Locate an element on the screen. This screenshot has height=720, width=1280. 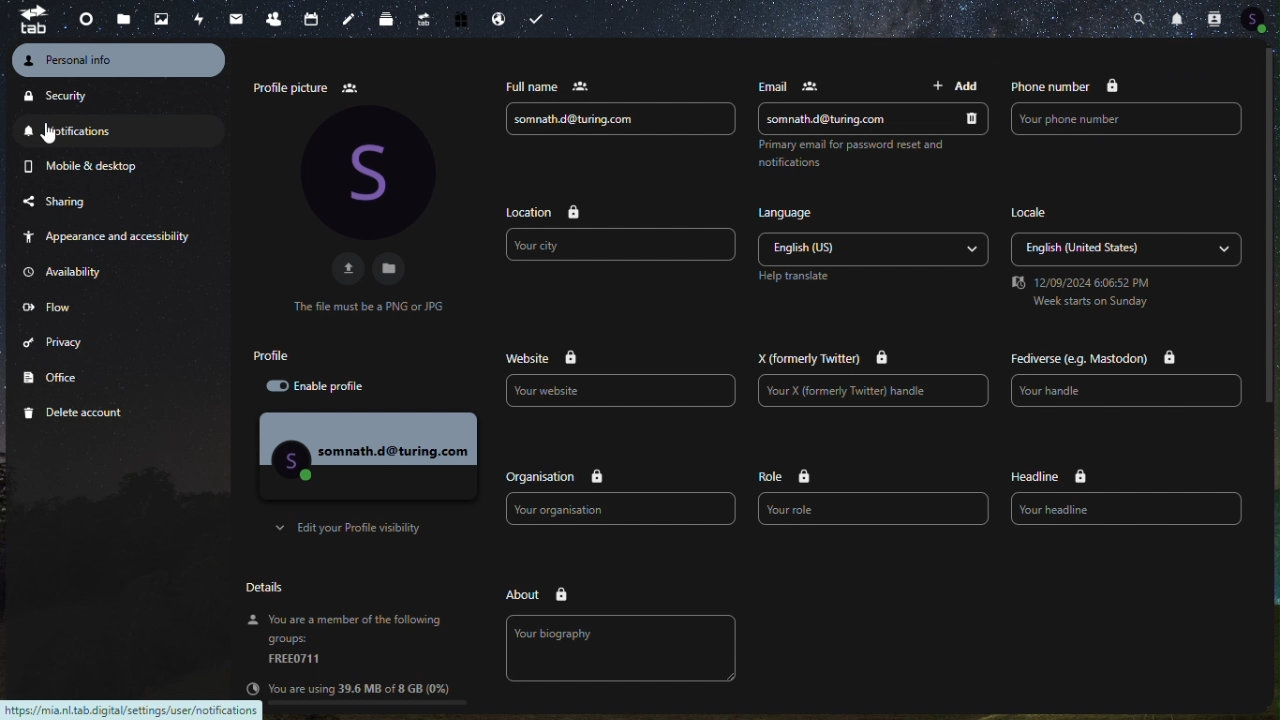
Primary email for password reset and notifications is located at coordinates (853, 156).